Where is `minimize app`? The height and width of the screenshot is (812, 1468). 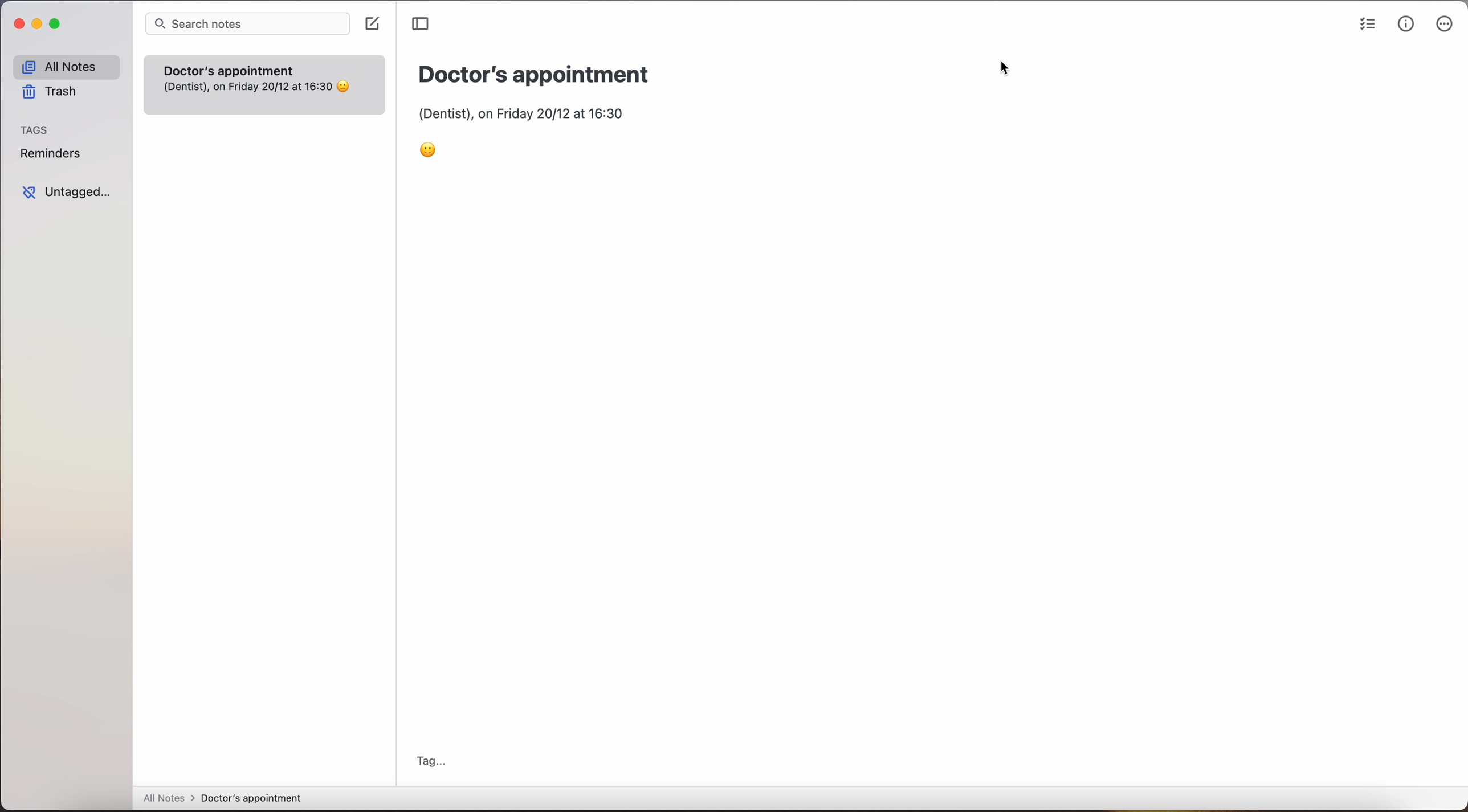 minimize app is located at coordinates (38, 25).